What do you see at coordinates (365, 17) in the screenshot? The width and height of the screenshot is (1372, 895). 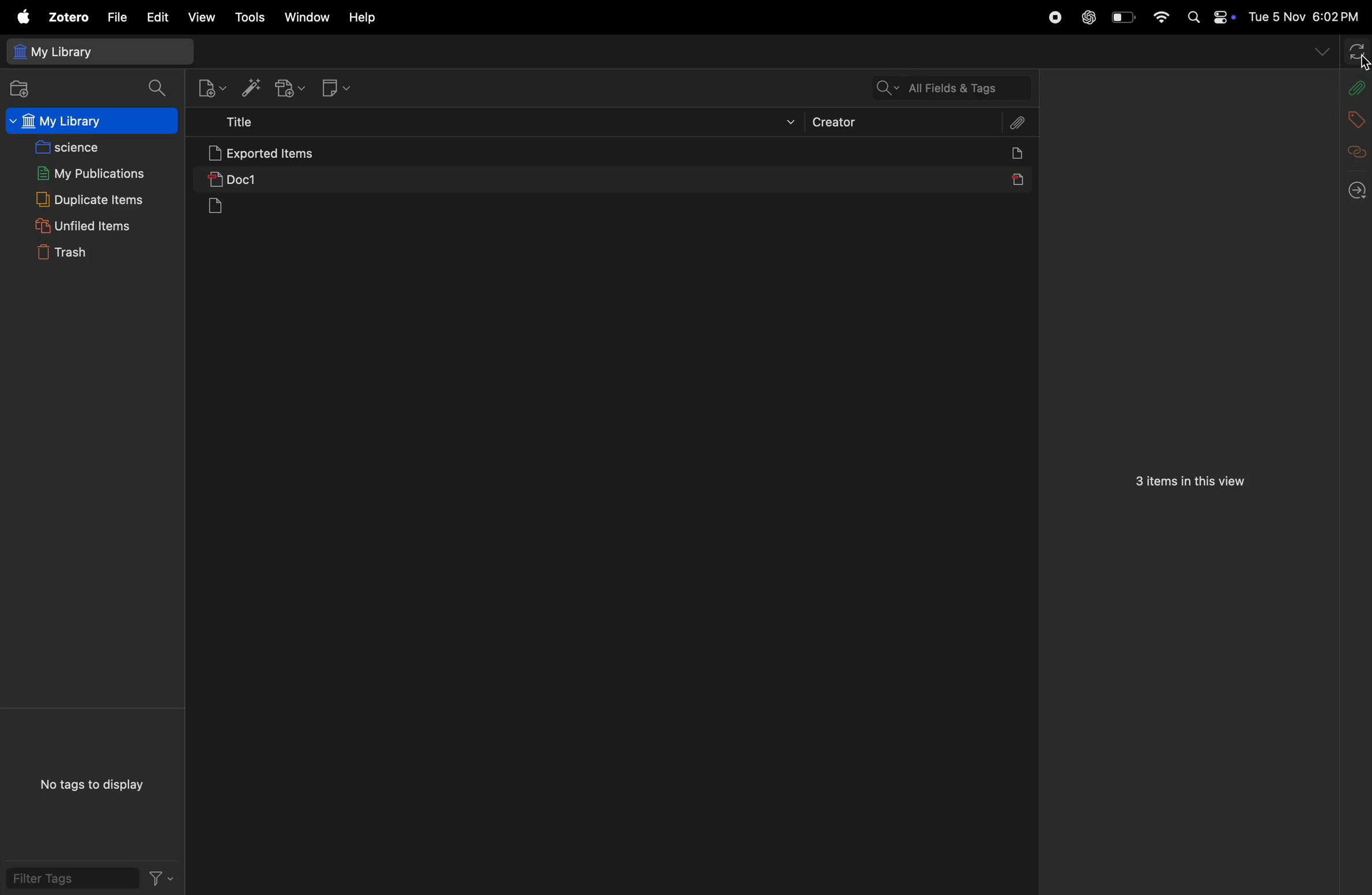 I see `help` at bounding box center [365, 17].